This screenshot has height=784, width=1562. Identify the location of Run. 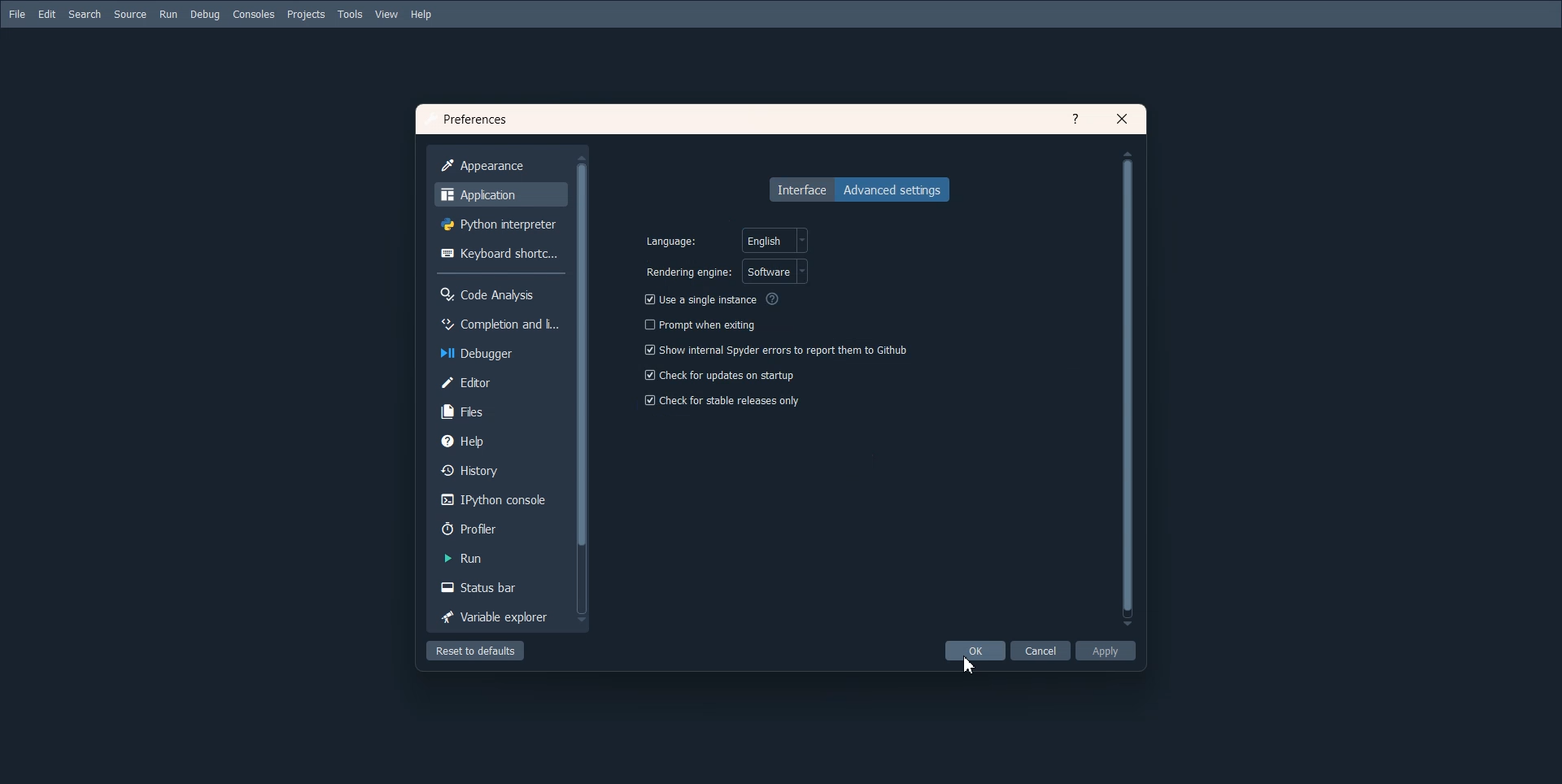
(168, 15).